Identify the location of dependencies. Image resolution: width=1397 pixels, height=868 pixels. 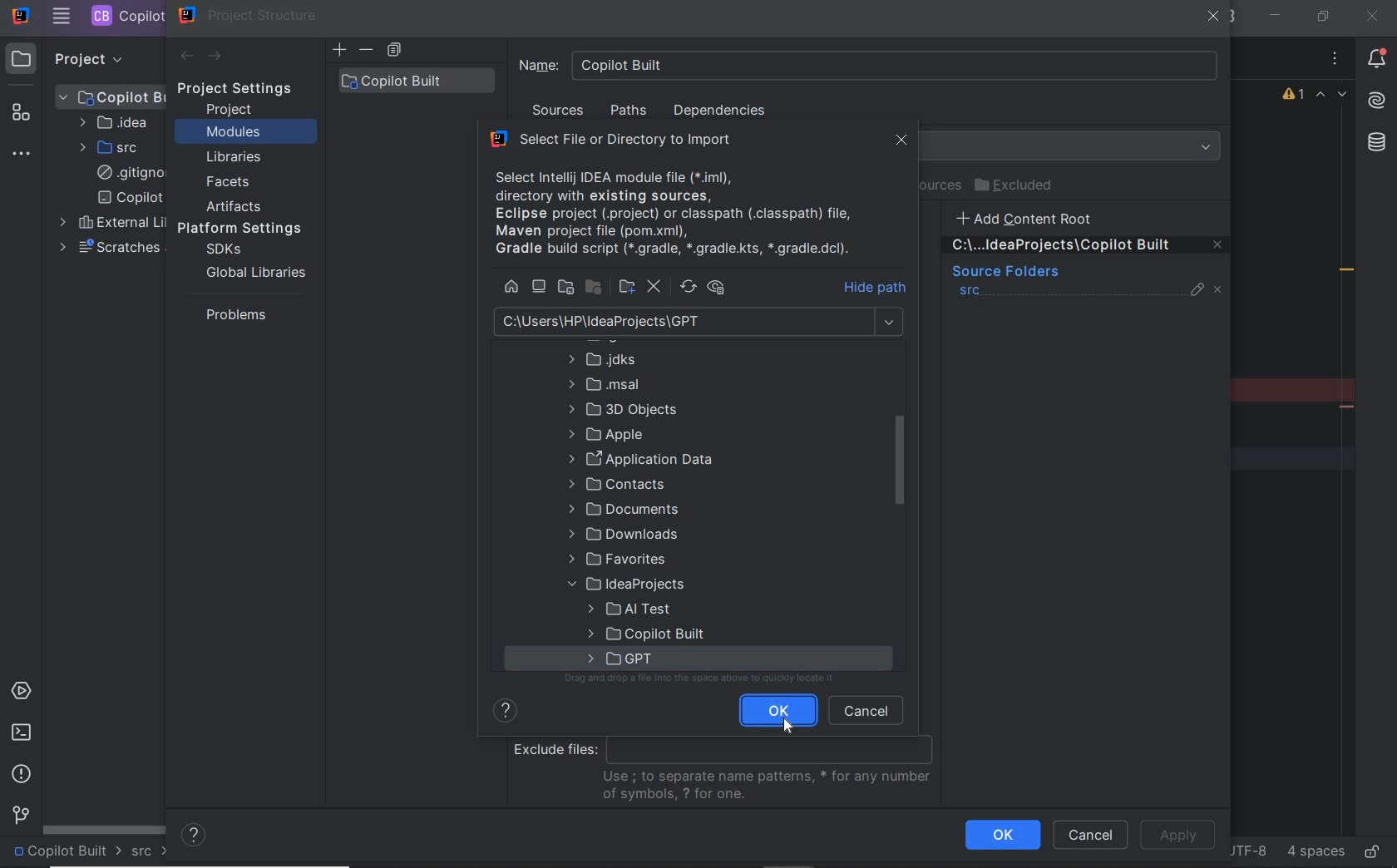
(718, 111).